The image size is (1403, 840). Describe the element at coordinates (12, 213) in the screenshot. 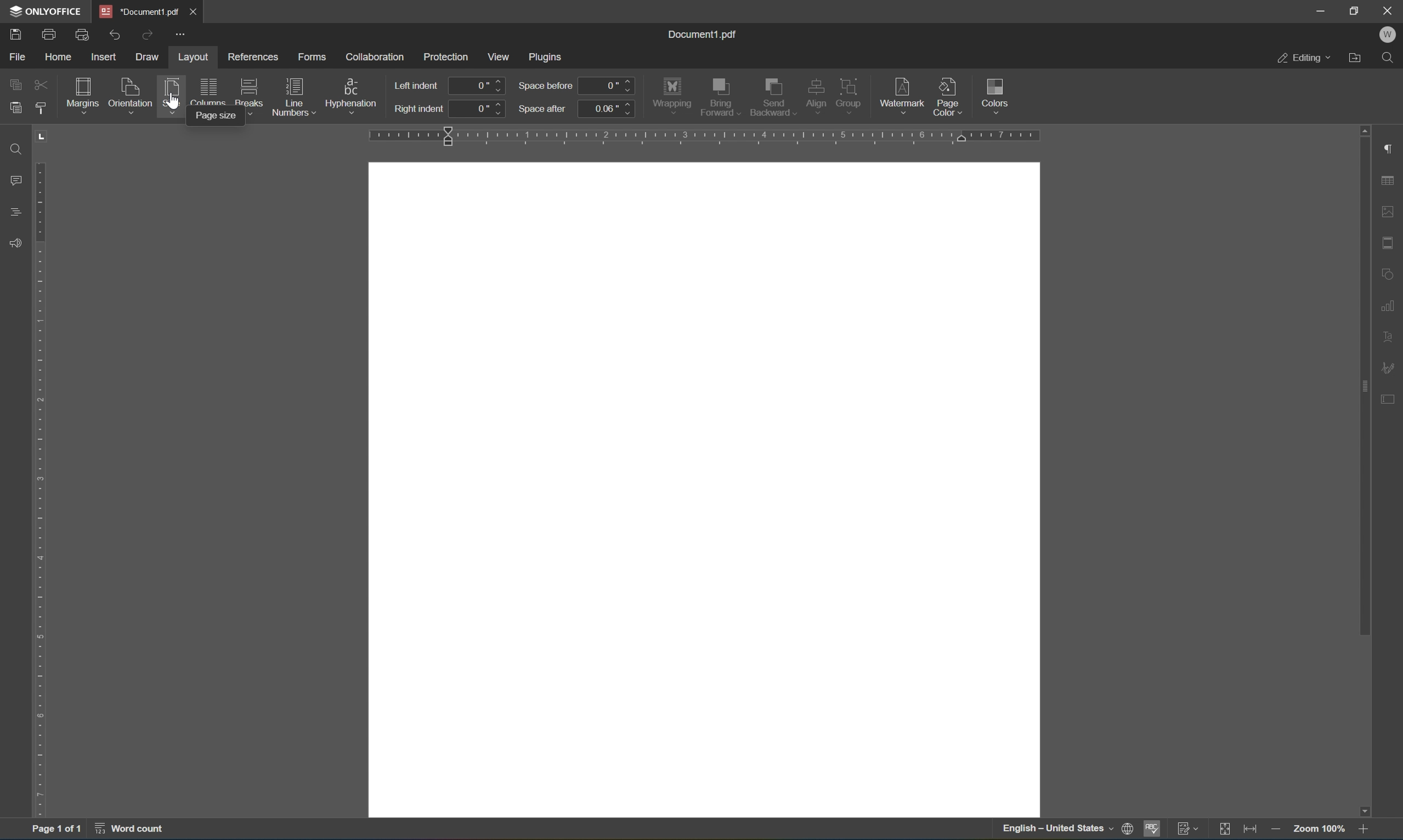

I see `headings` at that location.